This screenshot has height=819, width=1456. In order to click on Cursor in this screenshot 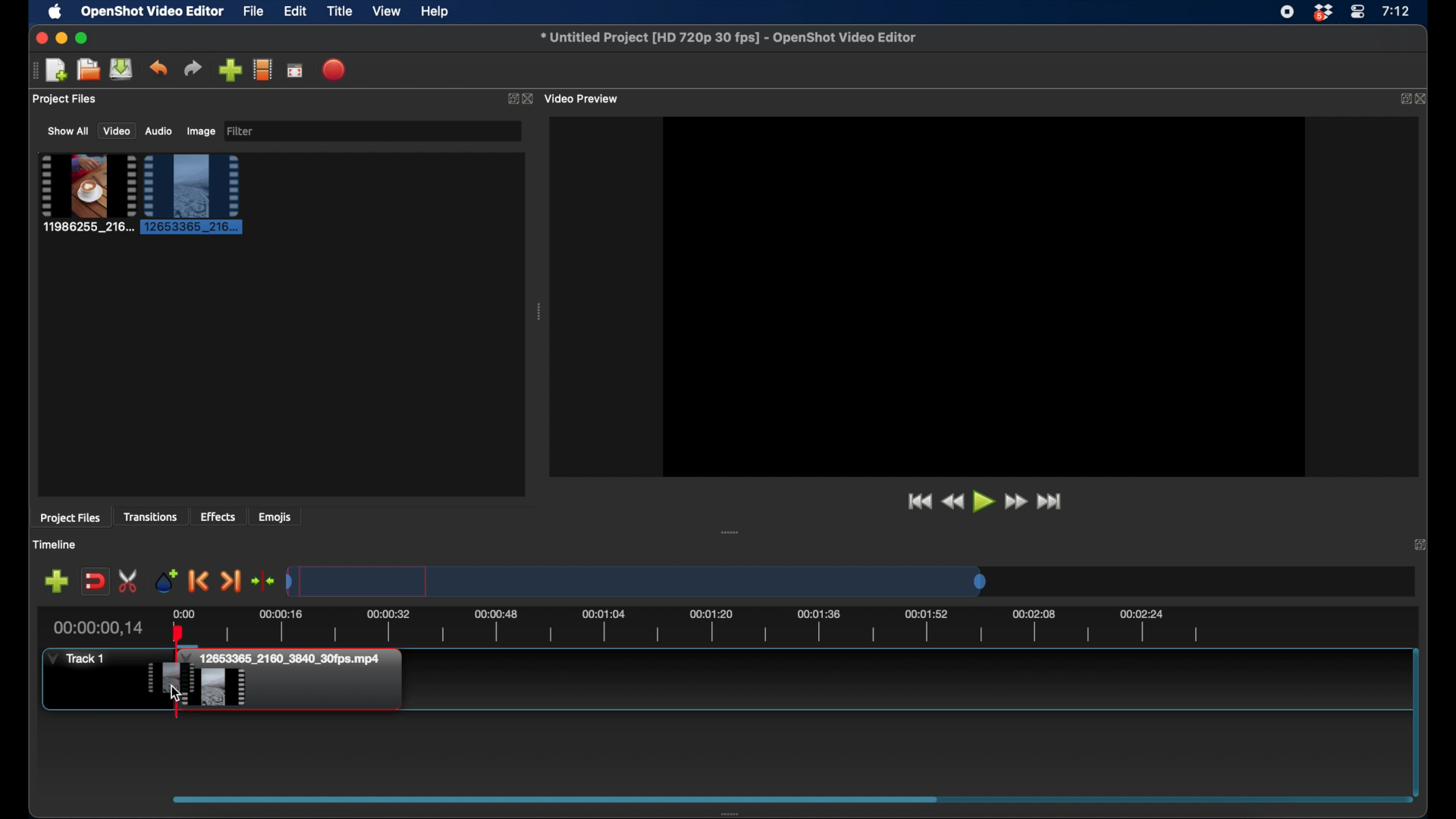, I will do `click(176, 692)`.